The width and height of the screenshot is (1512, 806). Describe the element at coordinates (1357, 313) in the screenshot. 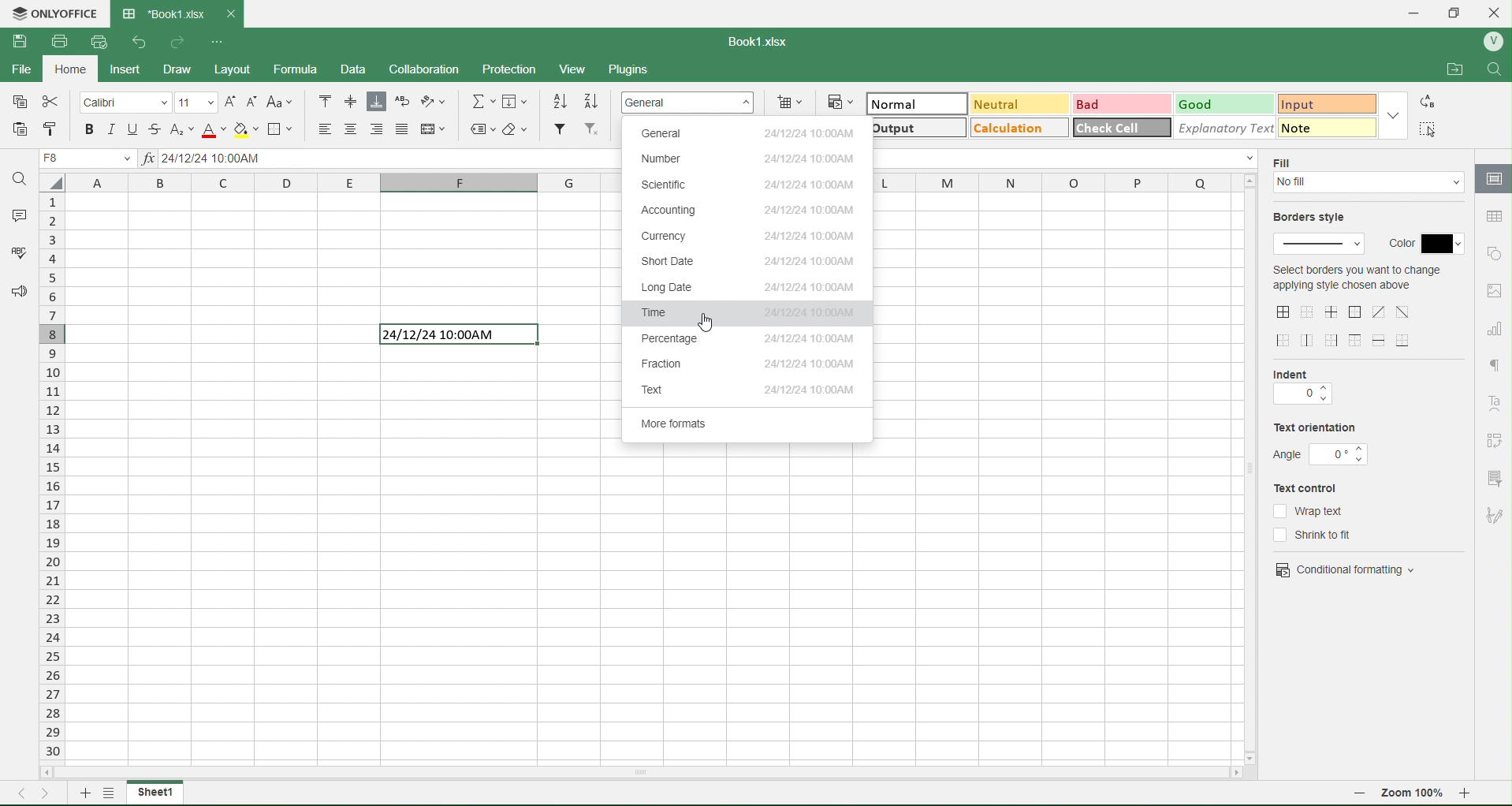

I see `outer border` at that location.